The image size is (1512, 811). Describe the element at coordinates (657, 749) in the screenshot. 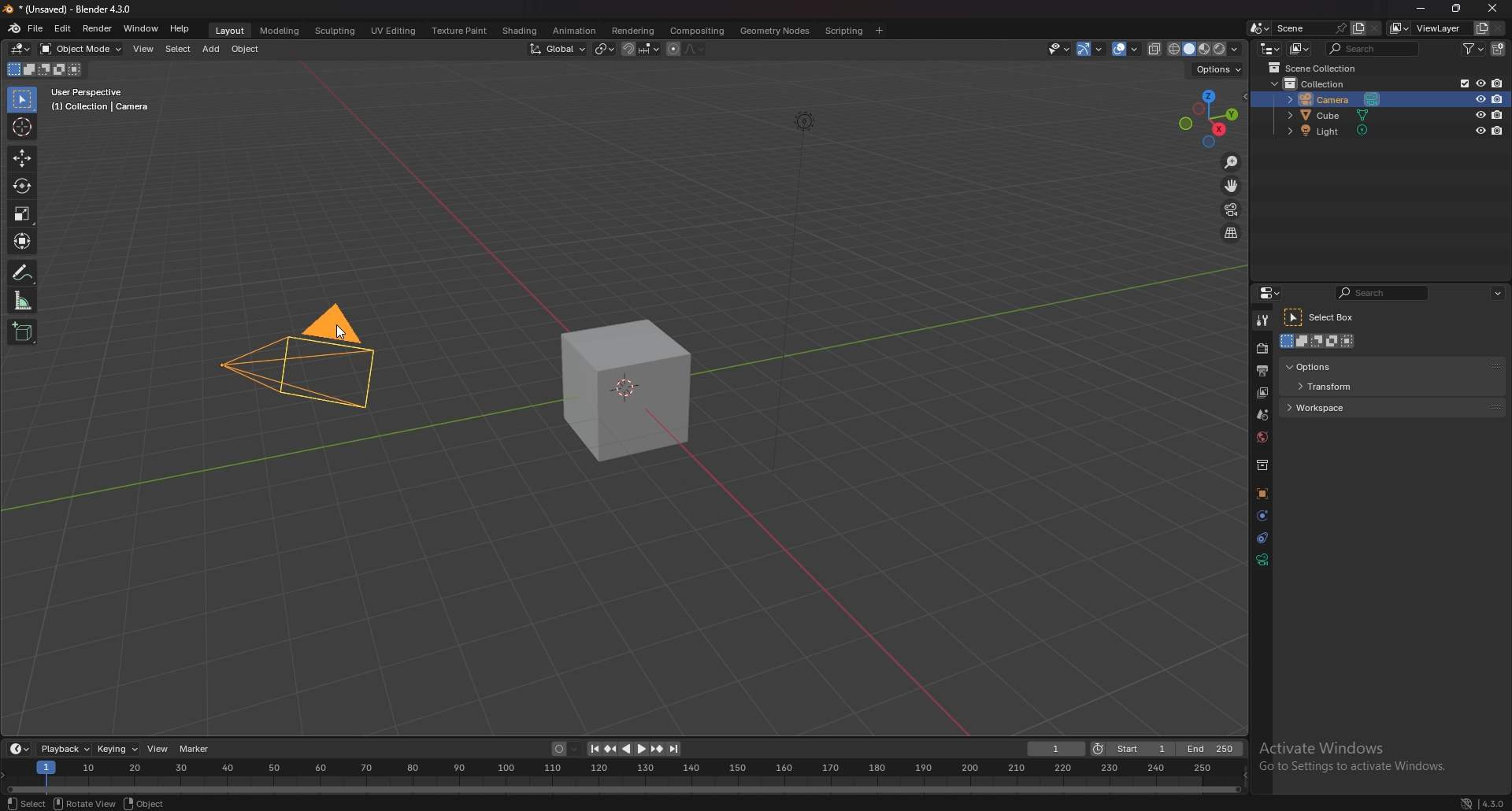

I see `jump to keyframe` at that location.